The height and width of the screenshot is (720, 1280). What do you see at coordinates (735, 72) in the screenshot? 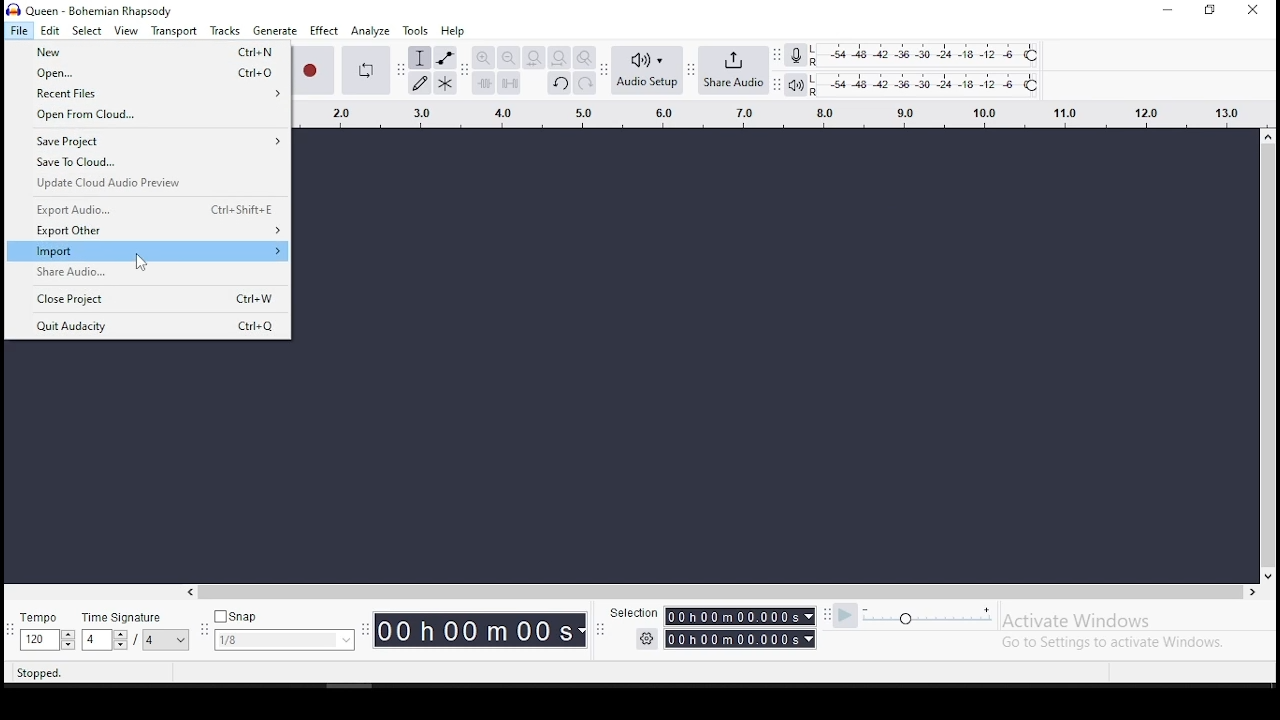
I see `share audio` at bounding box center [735, 72].